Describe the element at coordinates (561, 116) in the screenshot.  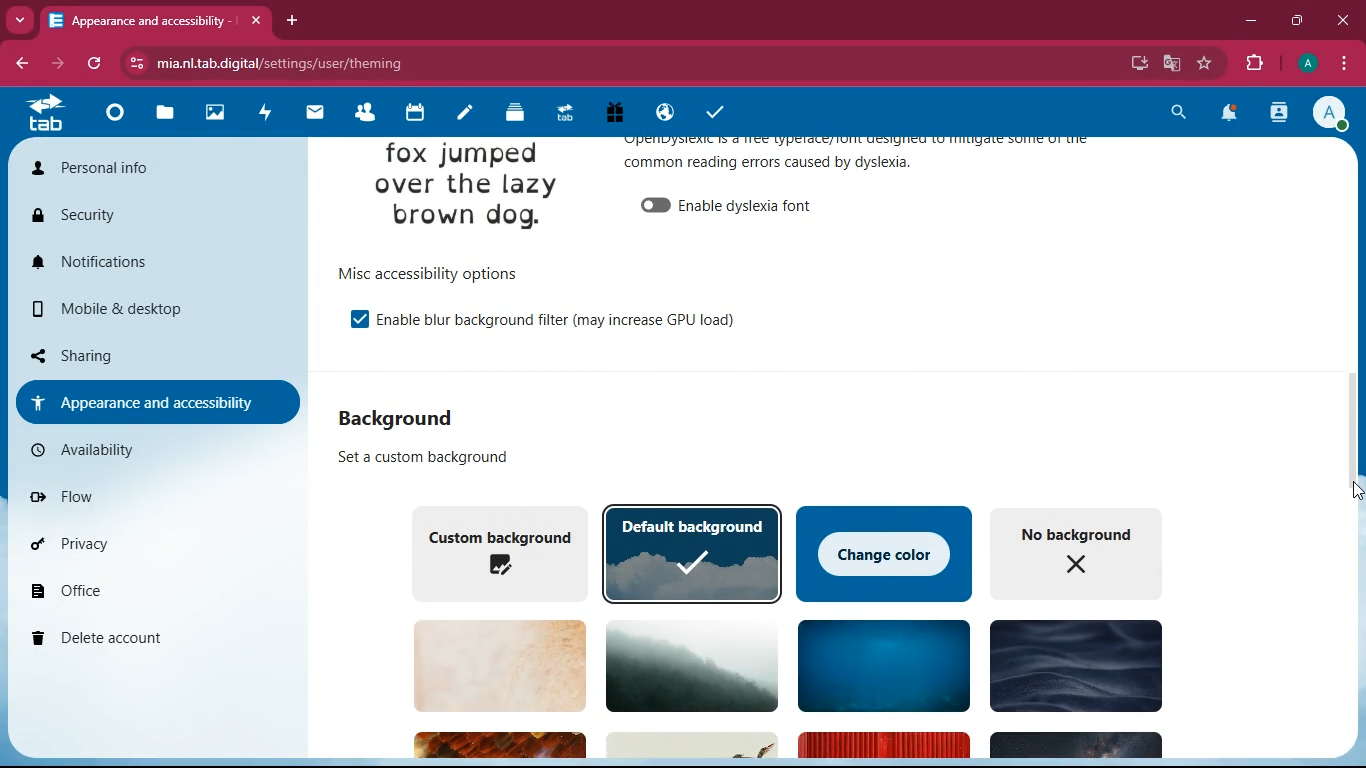
I see `tab` at that location.